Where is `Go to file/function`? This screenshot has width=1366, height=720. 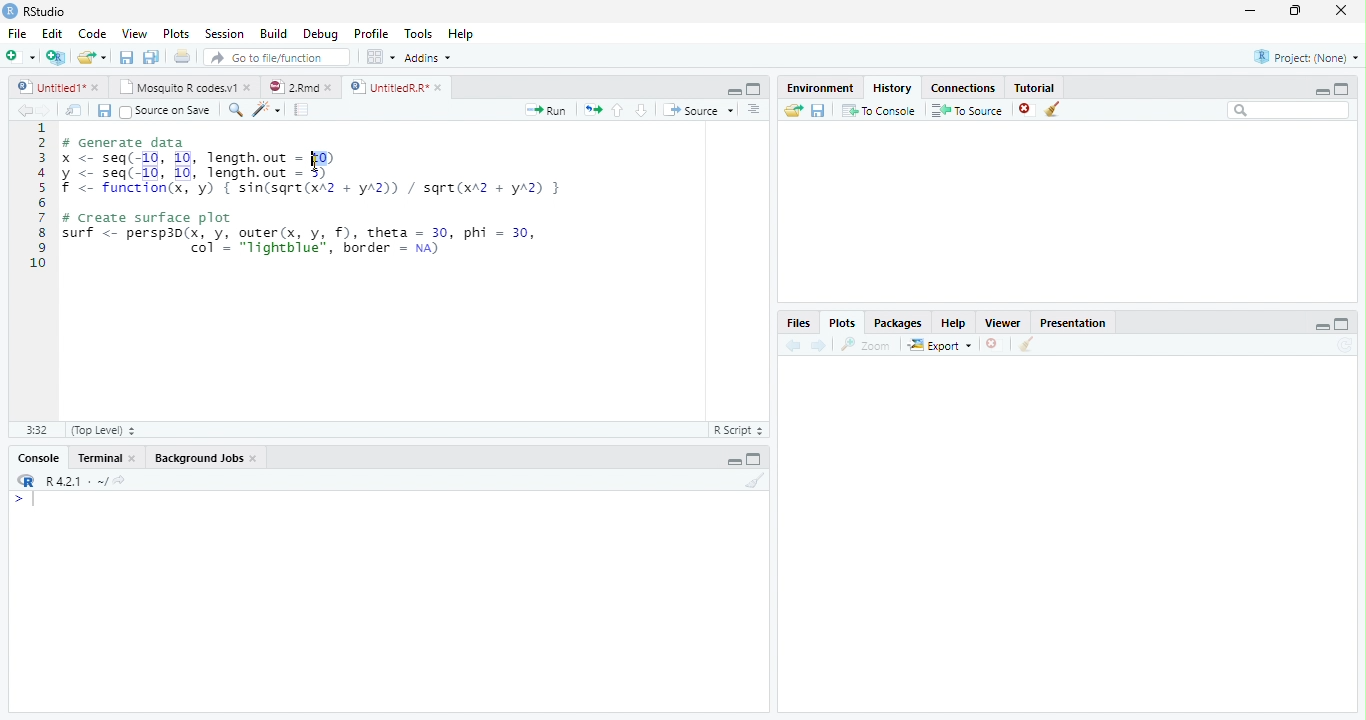 Go to file/function is located at coordinates (277, 56).